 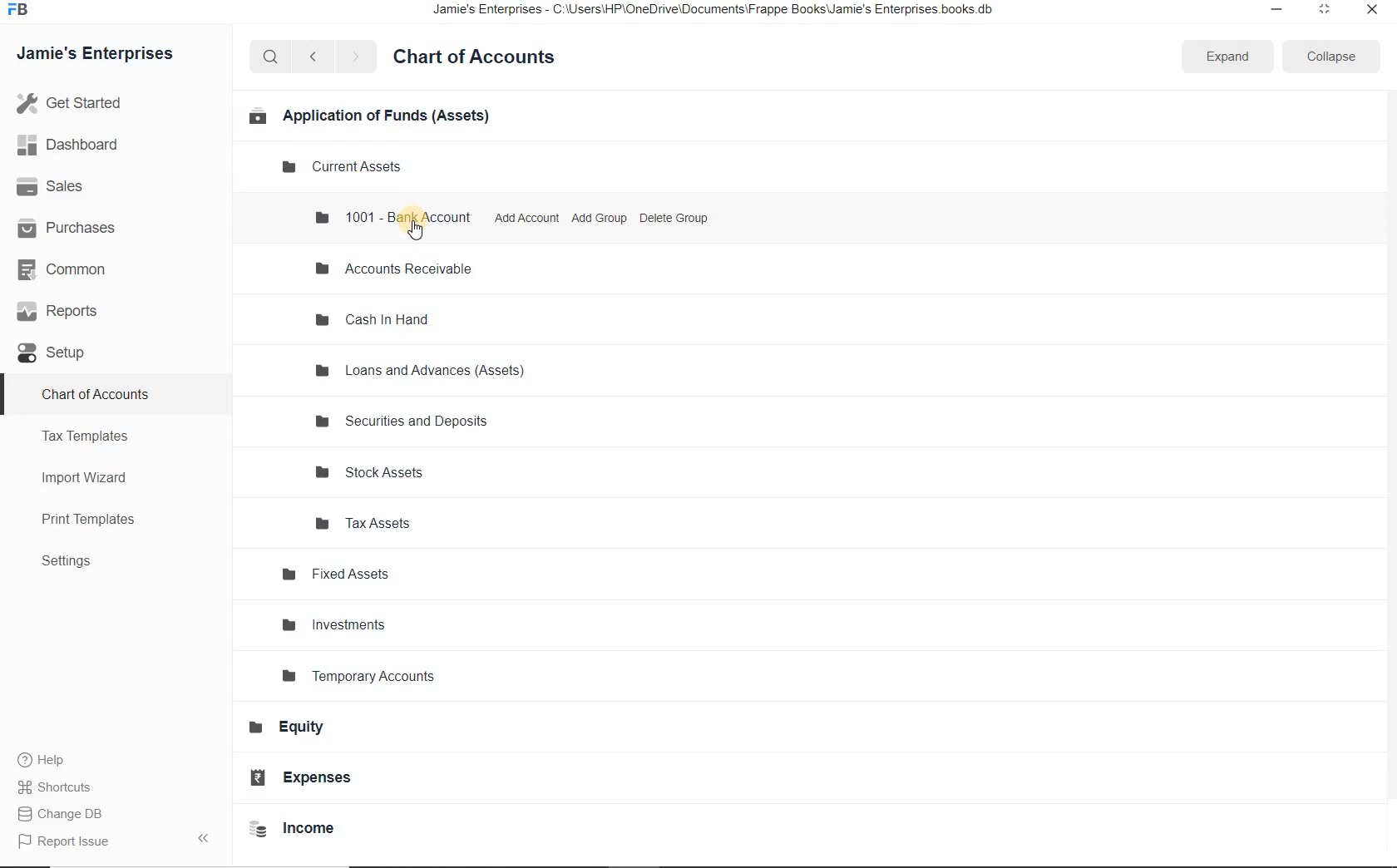 I want to click on Add Account, so click(x=526, y=218).